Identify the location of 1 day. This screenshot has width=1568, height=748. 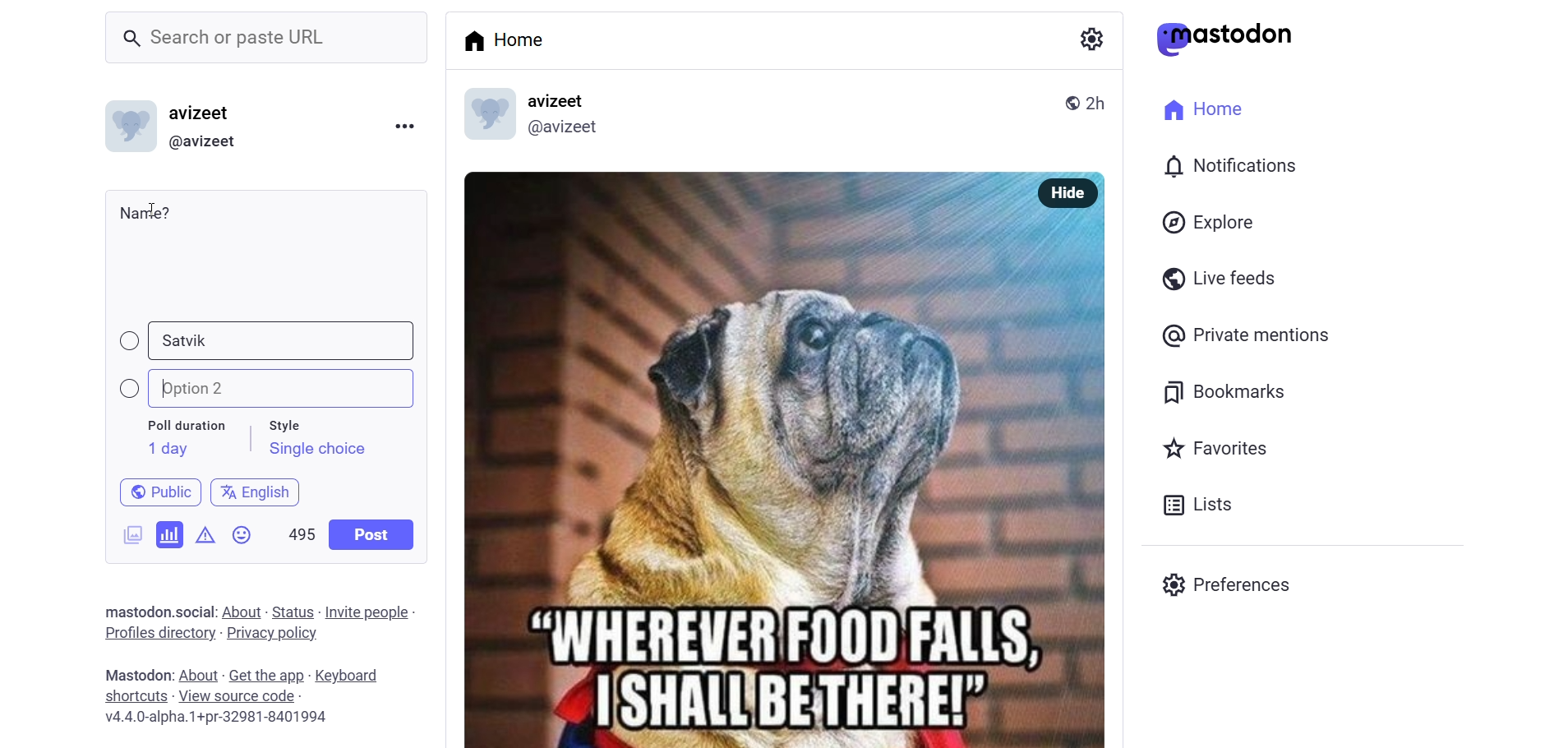
(165, 449).